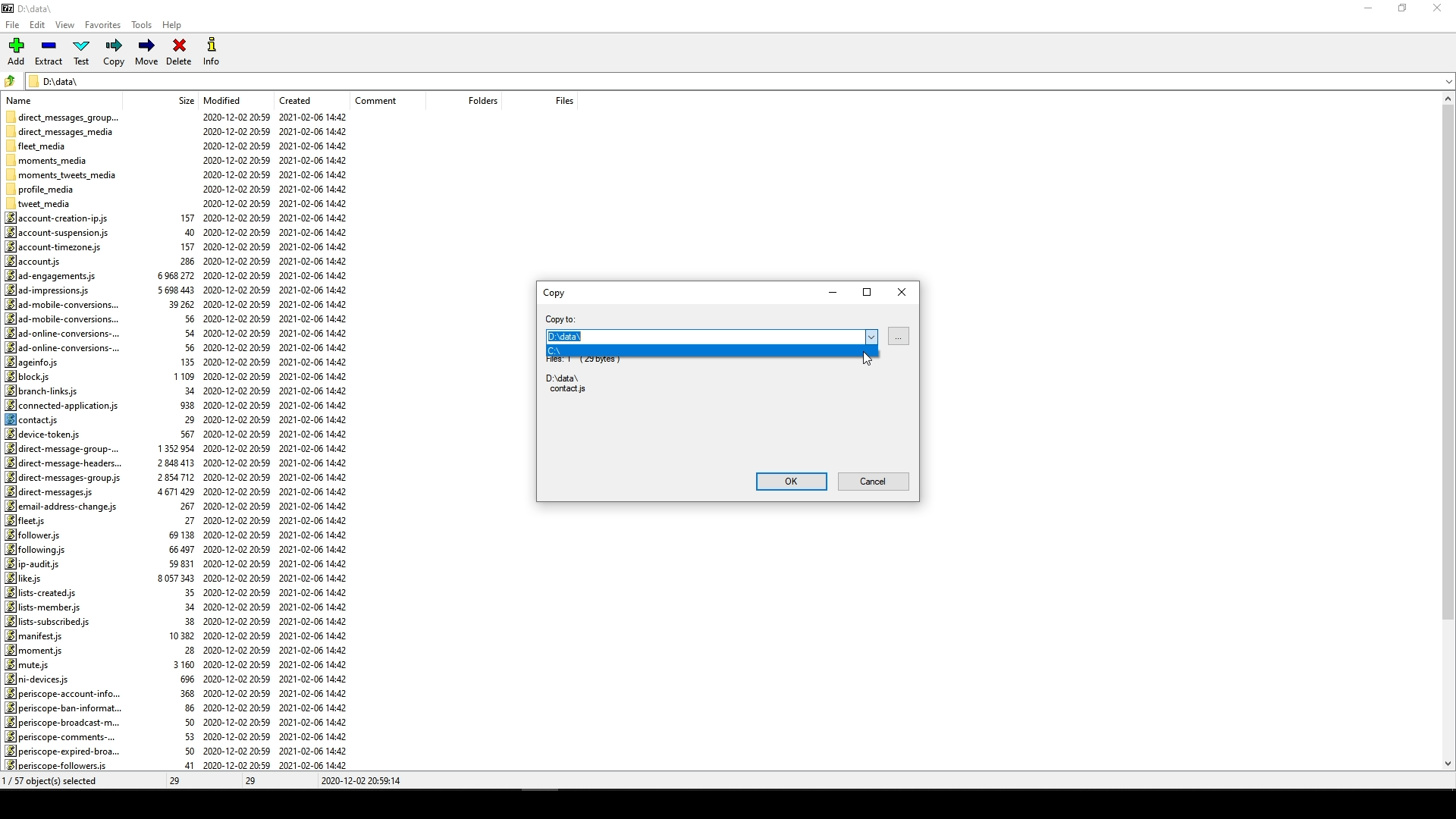 The width and height of the screenshot is (1456, 819). What do you see at coordinates (66, 174) in the screenshot?
I see `moments_tweets_media` at bounding box center [66, 174].